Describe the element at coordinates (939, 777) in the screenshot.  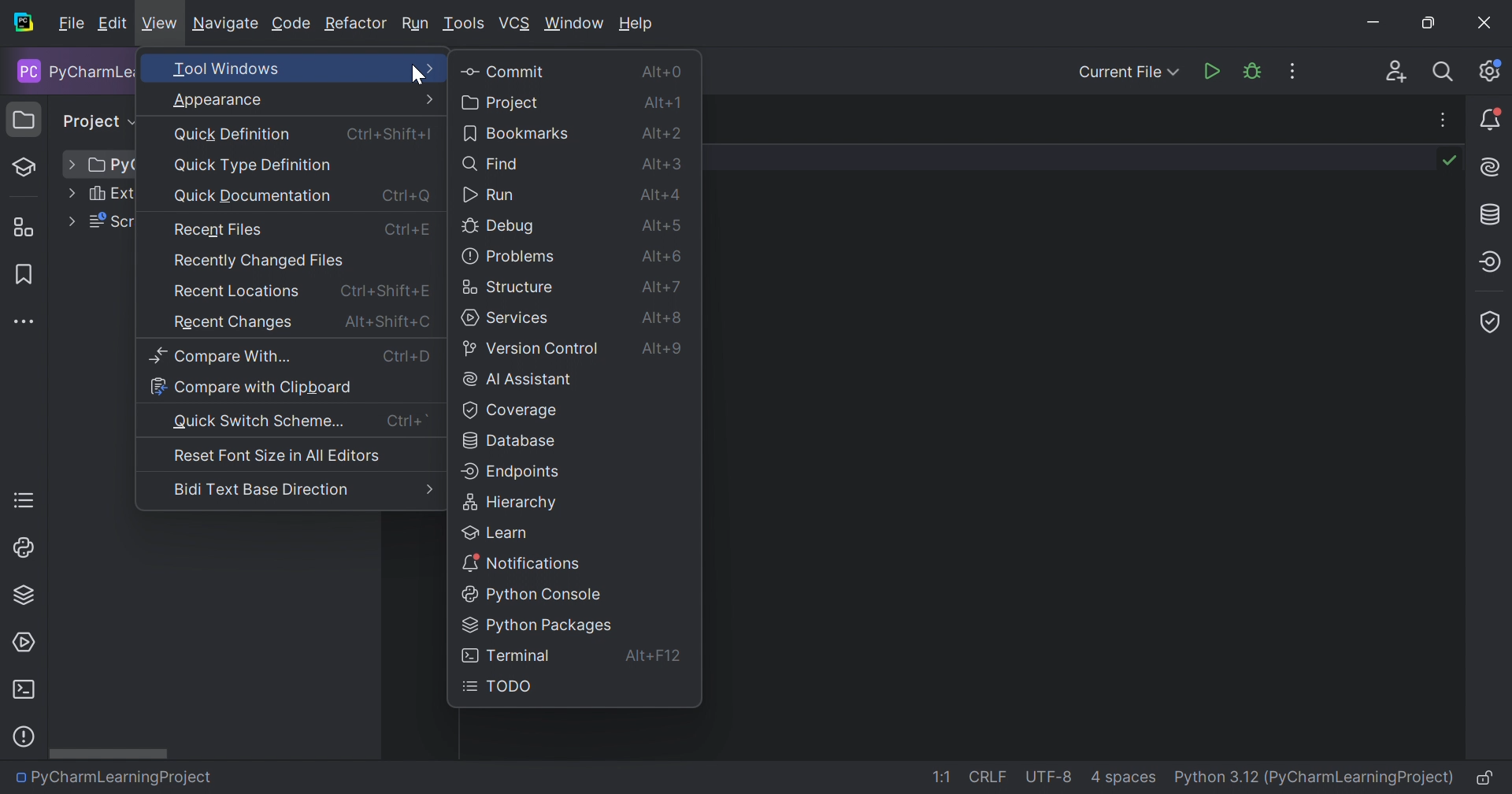
I see `1:1` at that location.